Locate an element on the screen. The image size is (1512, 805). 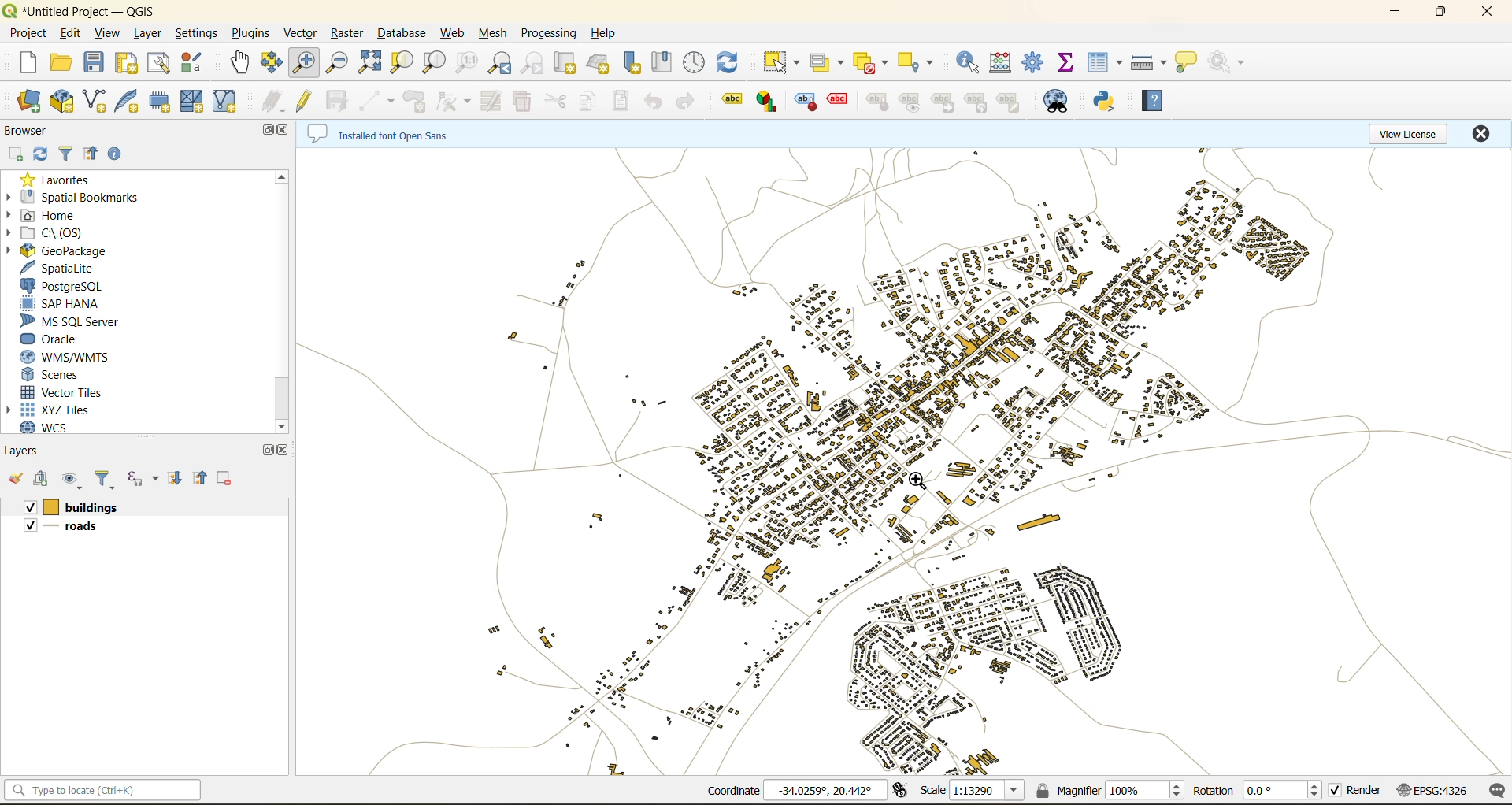
save edits is located at coordinates (338, 102).